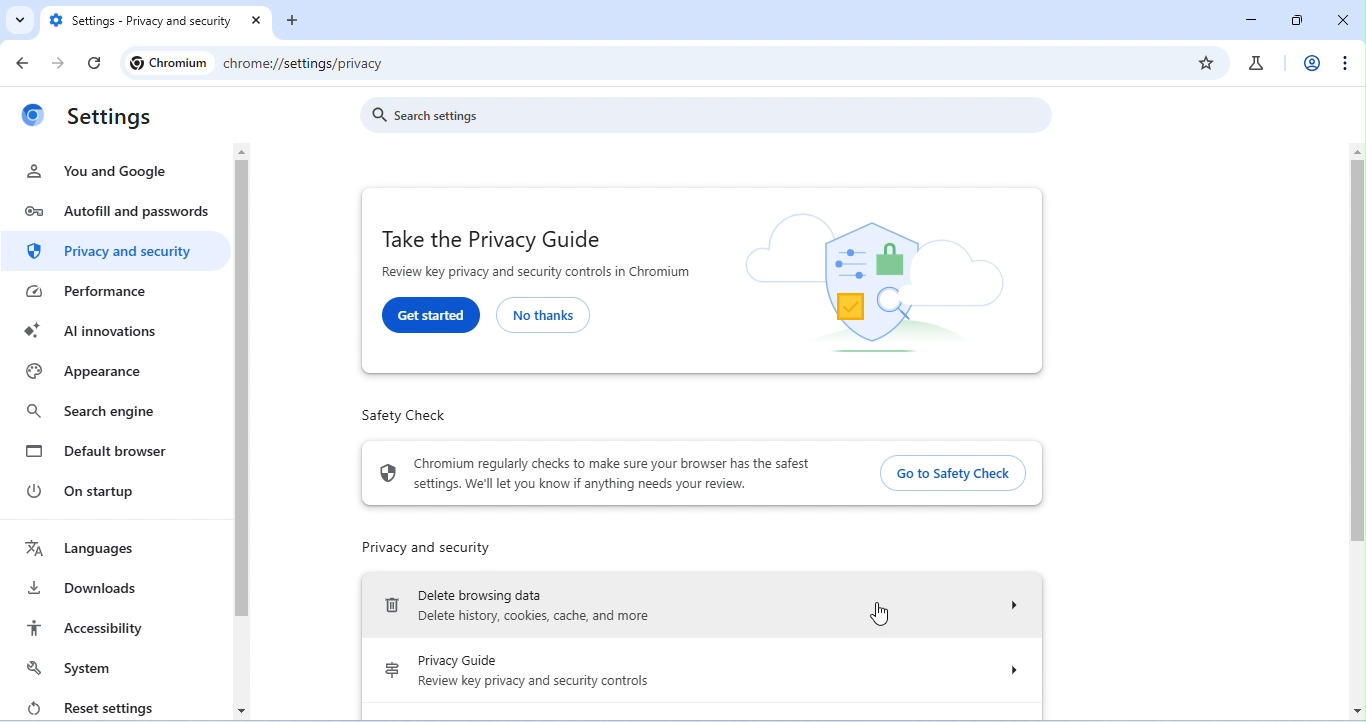 Image resolution: width=1366 pixels, height=722 pixels. I want to click on close, so click(1342, 20).